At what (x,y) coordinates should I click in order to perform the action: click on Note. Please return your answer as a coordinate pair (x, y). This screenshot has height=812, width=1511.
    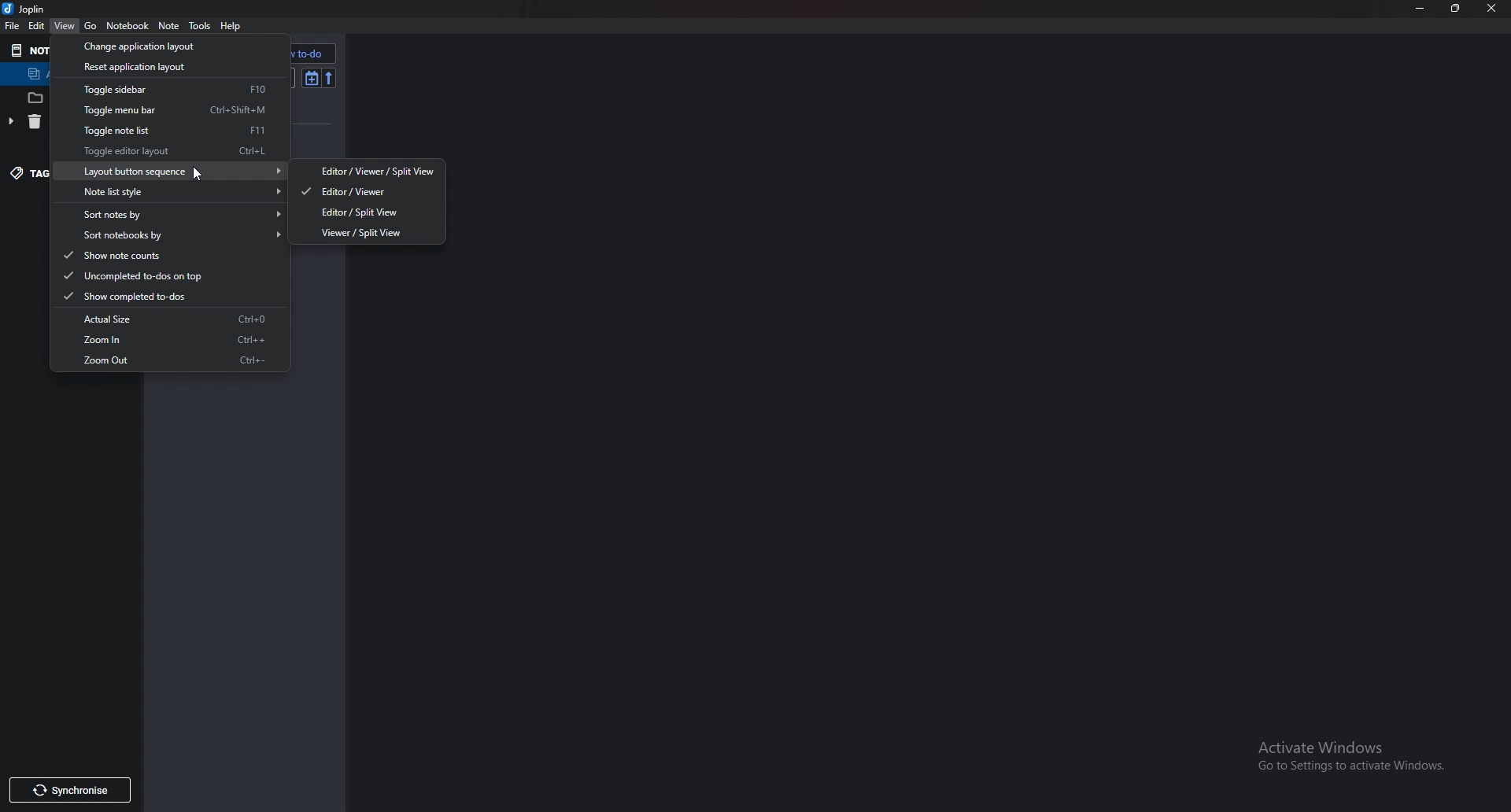
    Looking at the image, I should click on (169, 26).